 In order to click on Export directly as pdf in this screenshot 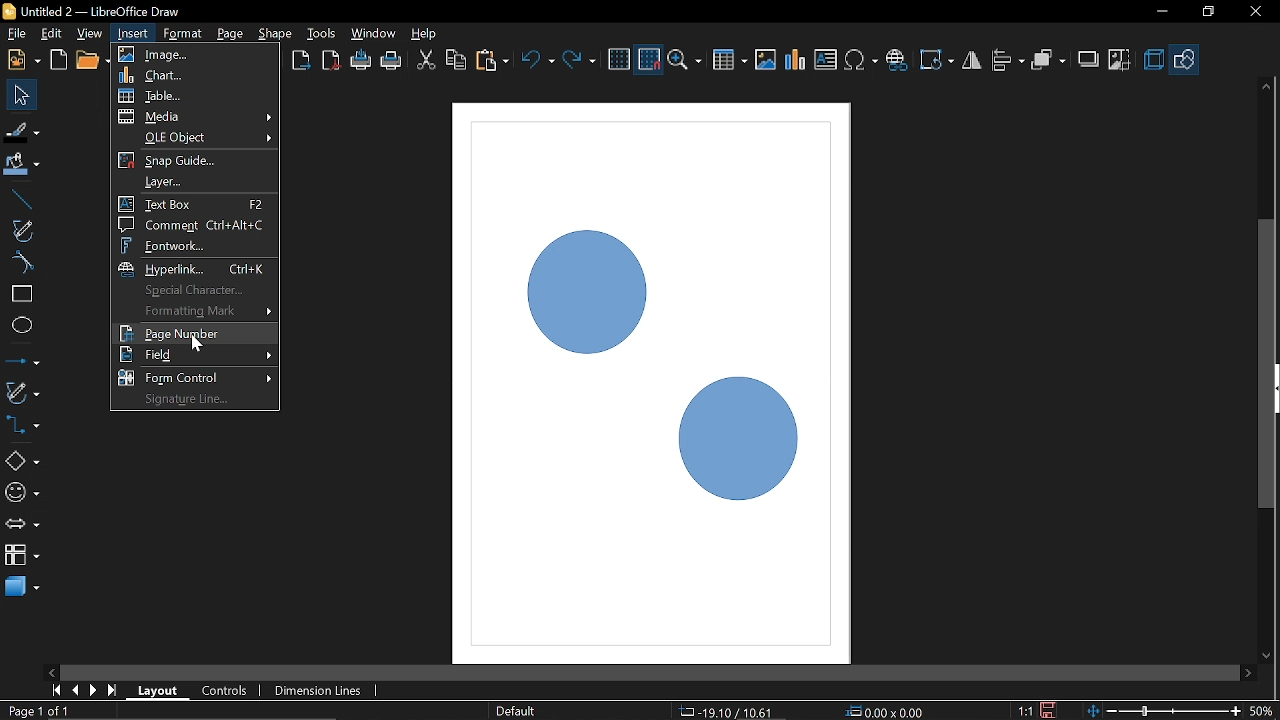, I will do `click(332, 62)`.